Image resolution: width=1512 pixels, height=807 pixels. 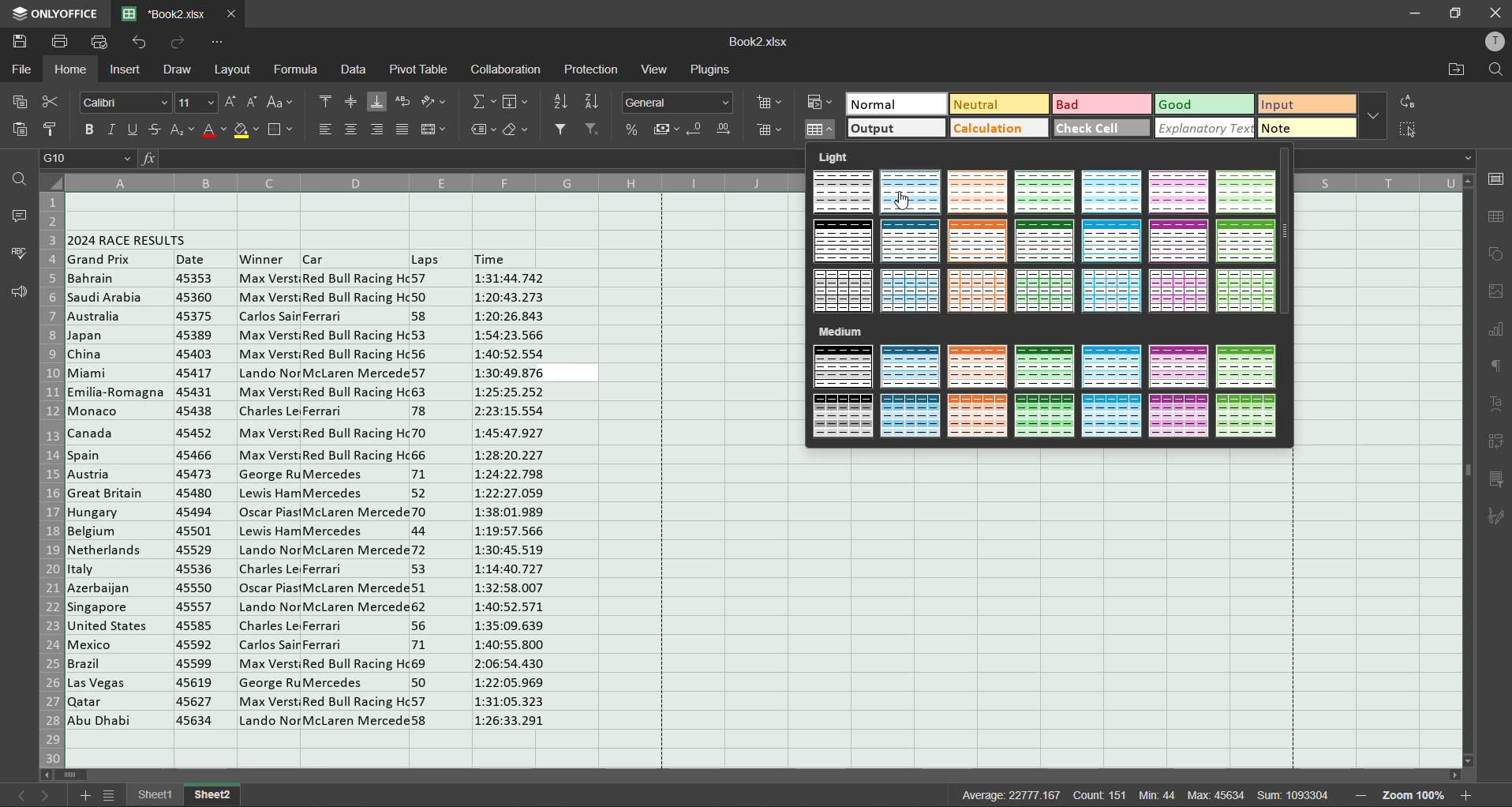 What do you see at coordinates (110, 796) in the screenshot?
I see `sheet list` at bounding box center [110, 796].